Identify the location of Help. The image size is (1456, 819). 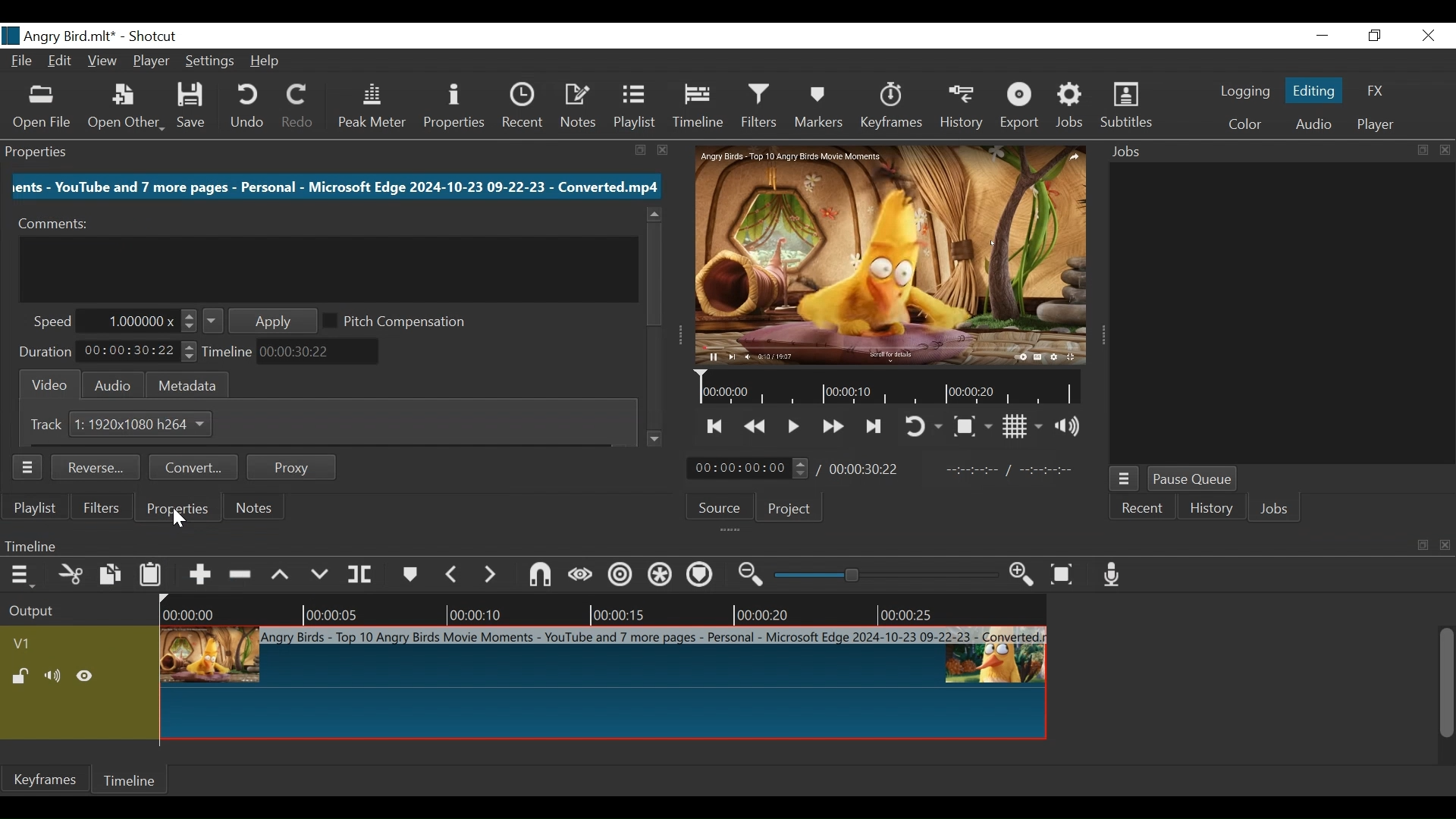
(269, 61).